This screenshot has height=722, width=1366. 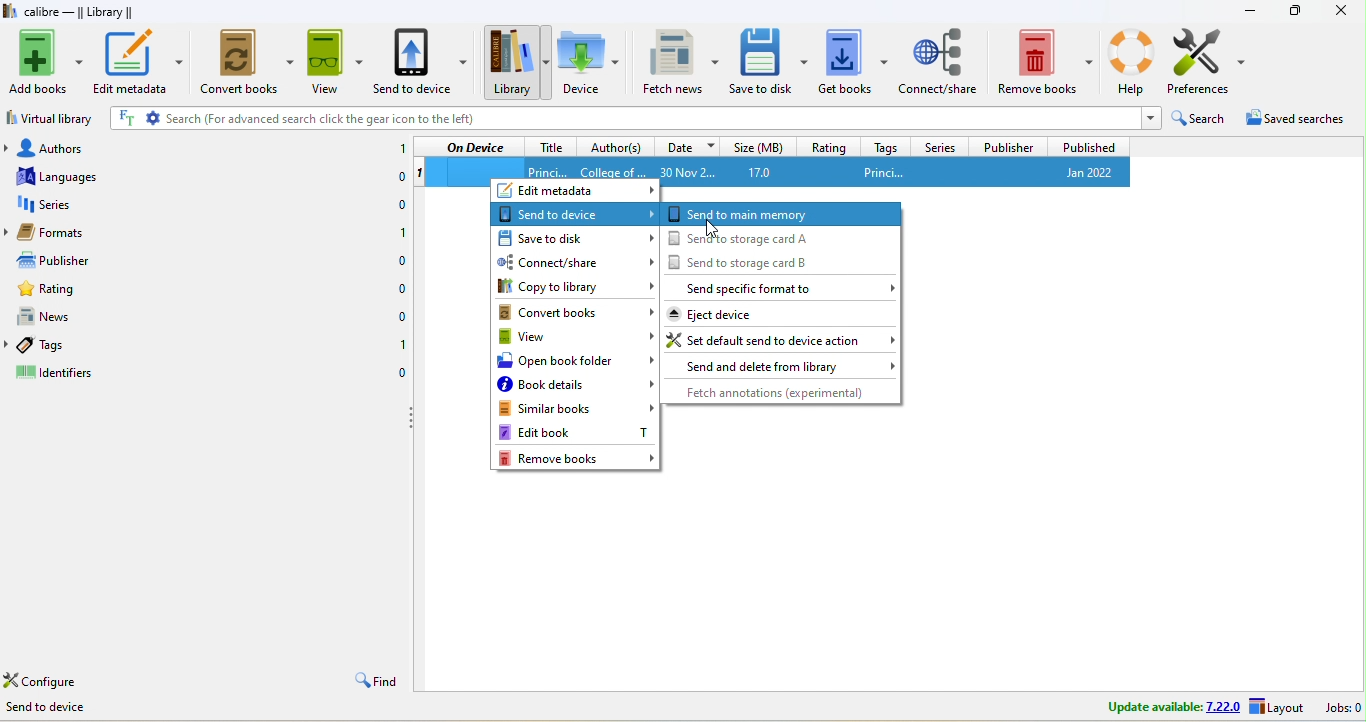 I want to click on on device, so click(x=475, y=147).